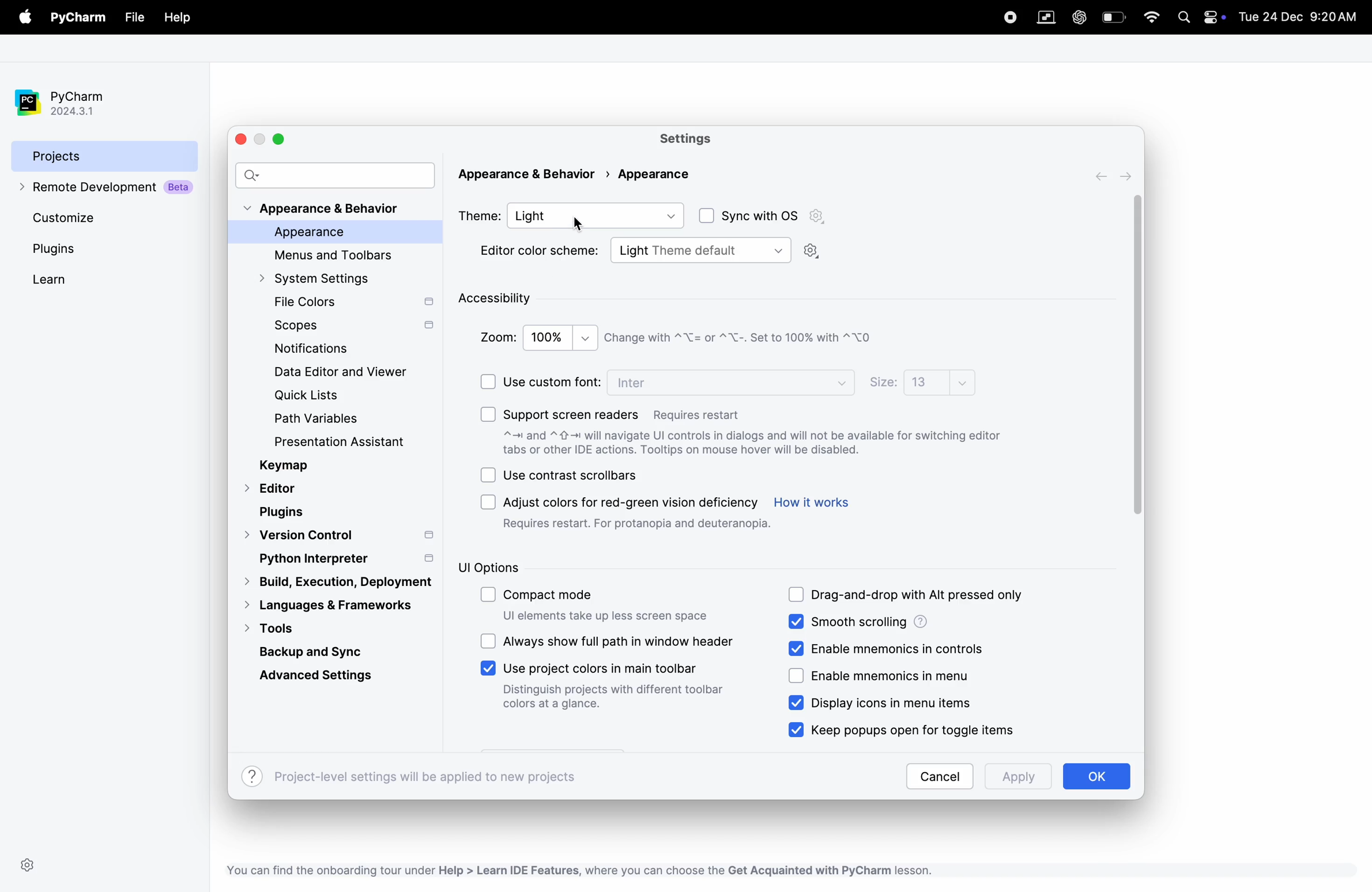 This screenshot has height=892, width=1372. I want to click on Ok, so click(1095, 776).